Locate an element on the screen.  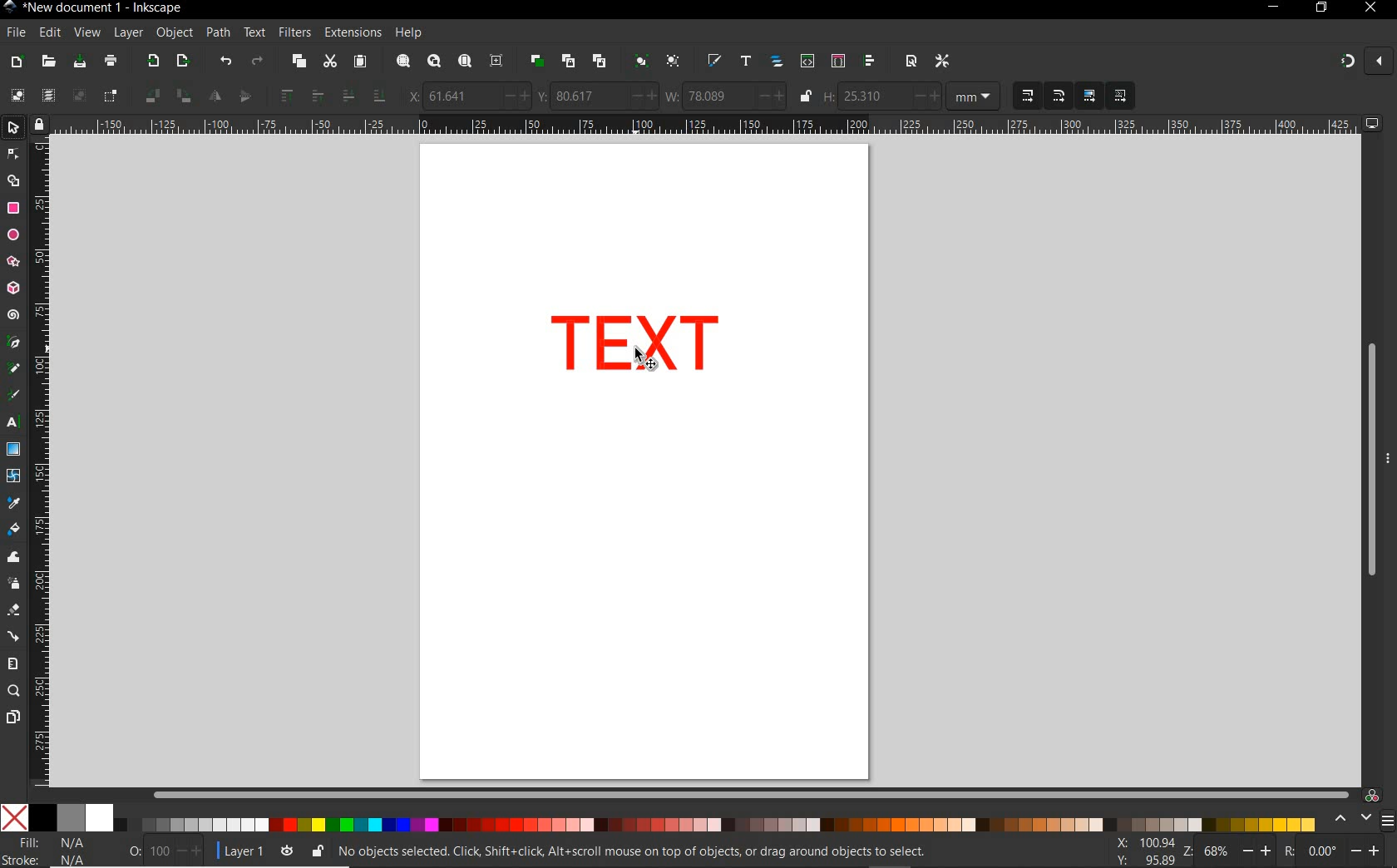
horizontal coordinate of selection is located at coordinates (466, 95).